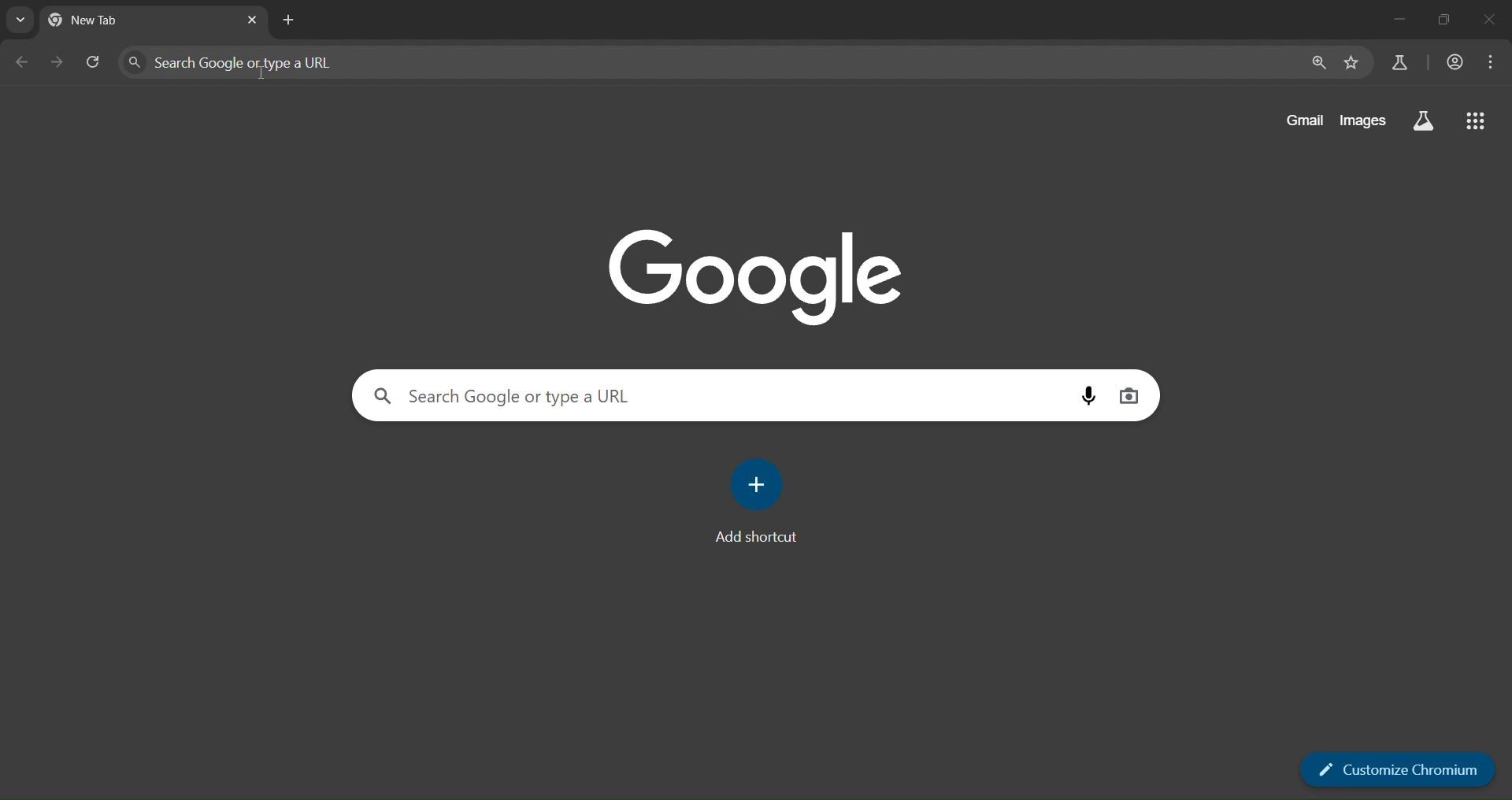 Image resolution: width=1512 pixels, height=800 pixels. I want to click on current page, so click(109, 19).